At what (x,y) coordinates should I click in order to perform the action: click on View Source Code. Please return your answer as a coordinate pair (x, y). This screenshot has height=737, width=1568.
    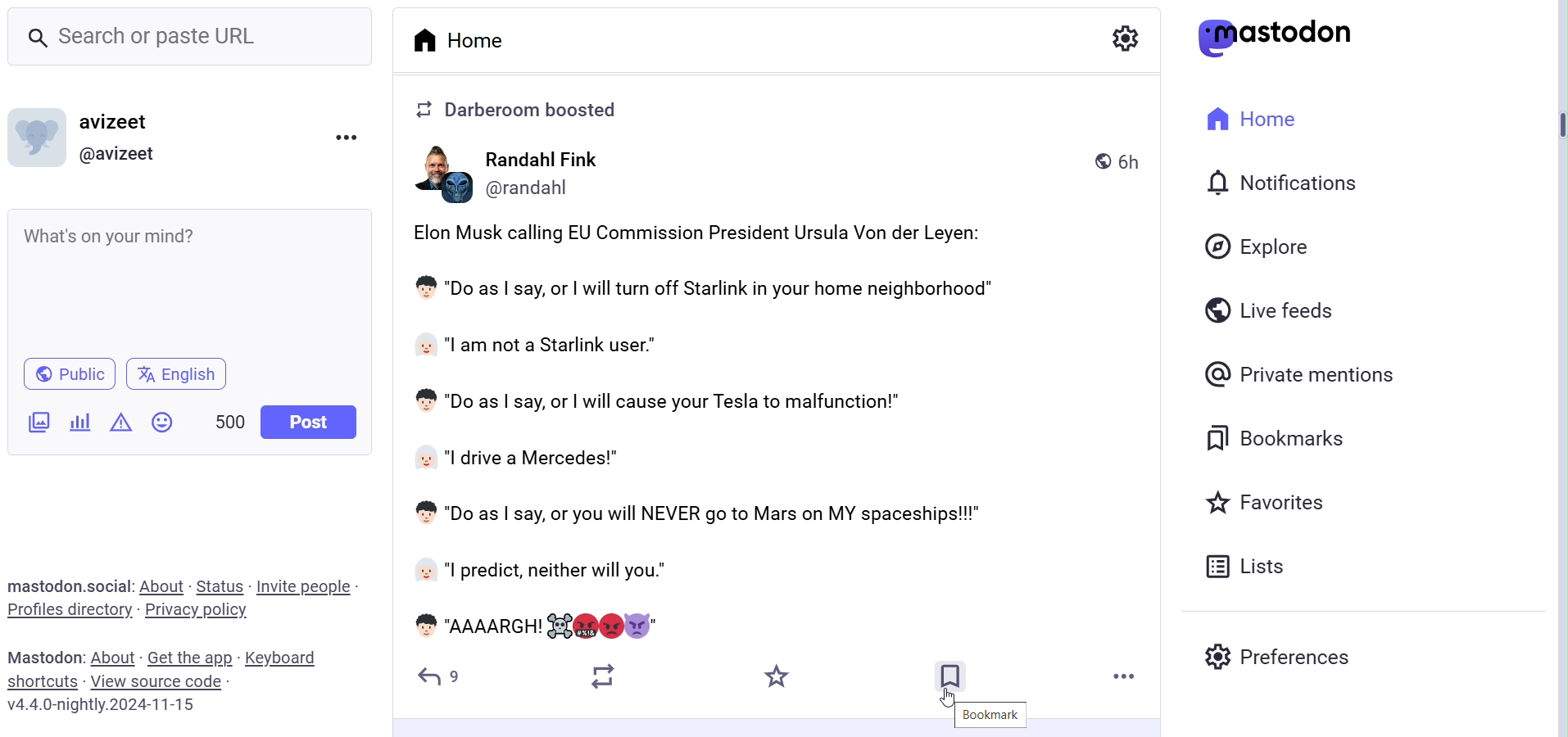
    Looking at the image, I should click on (159, 681).